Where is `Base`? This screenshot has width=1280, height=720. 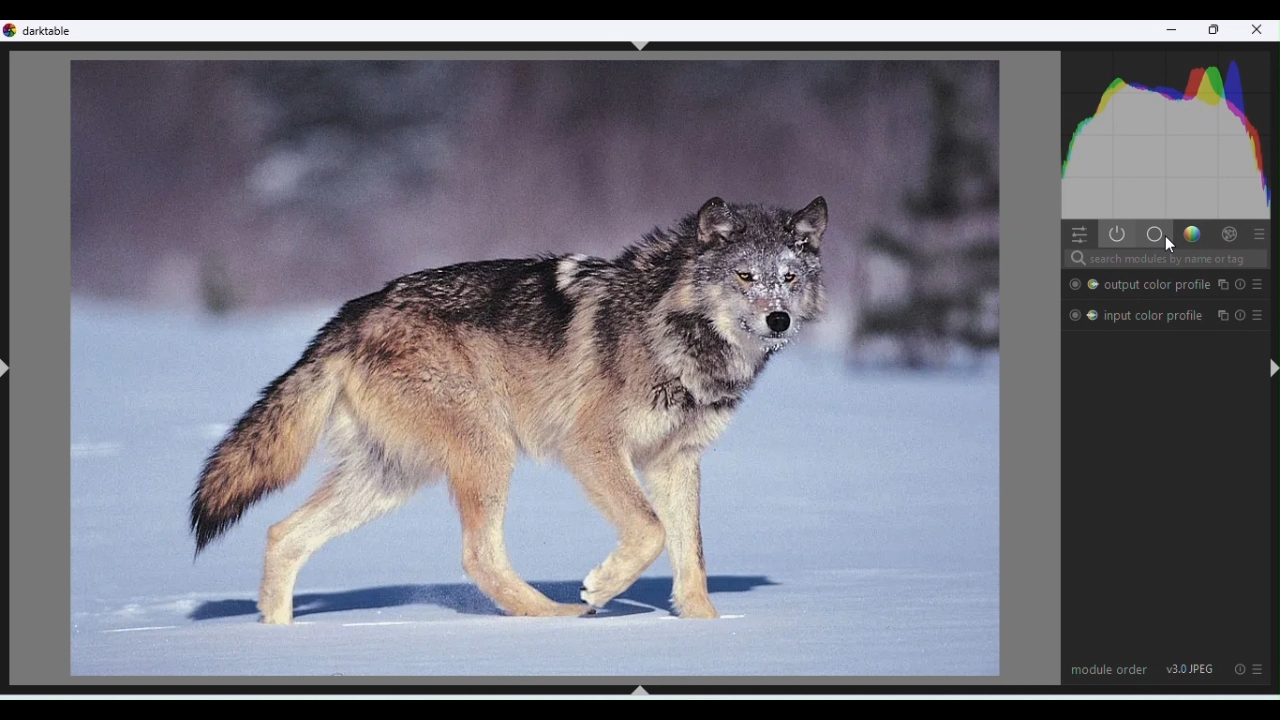 Base is located at coordinates (1153, 233).